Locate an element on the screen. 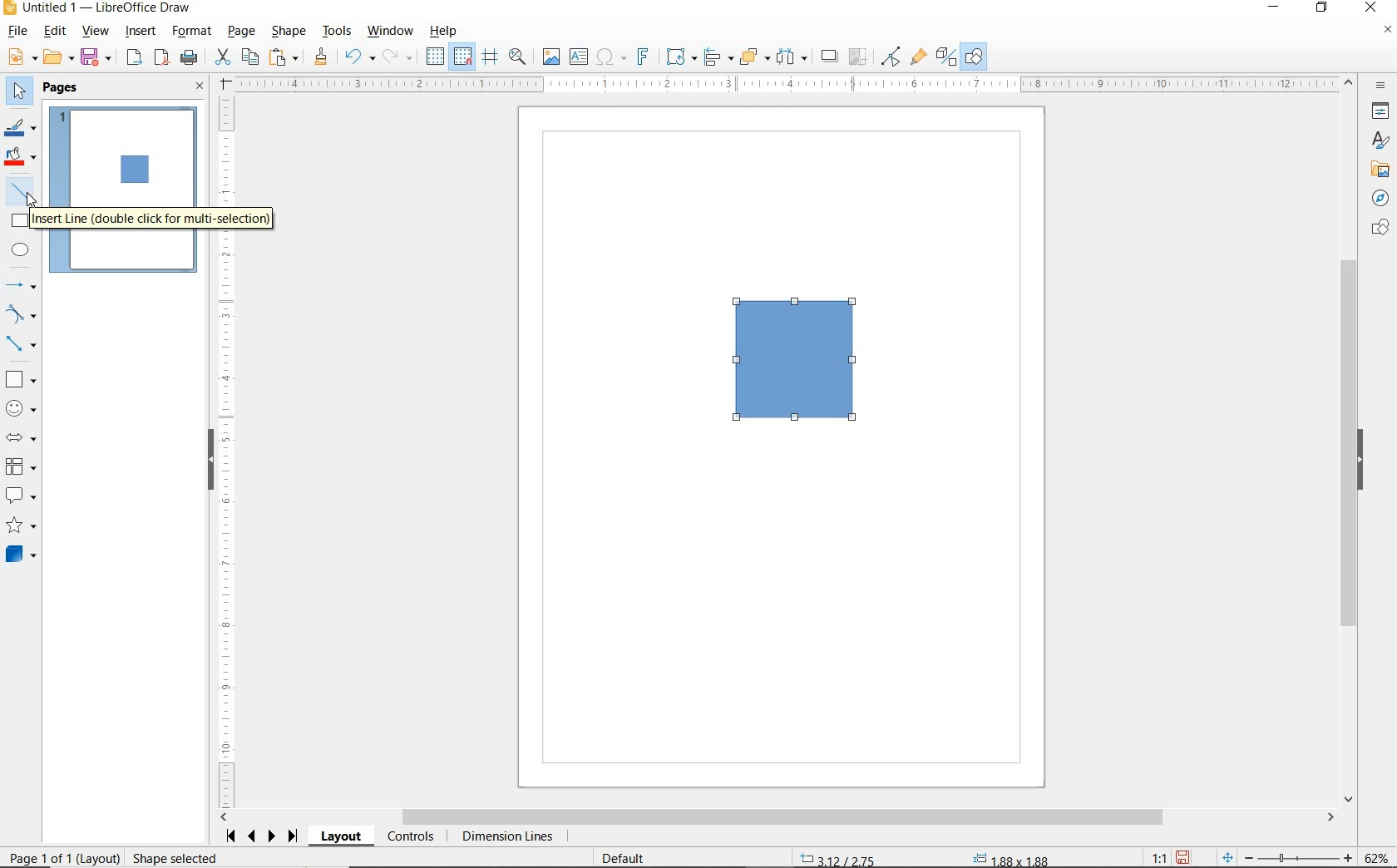 The width and height of the screenshot is (1397, 868). HIDE is located at coordinates (210, 461).